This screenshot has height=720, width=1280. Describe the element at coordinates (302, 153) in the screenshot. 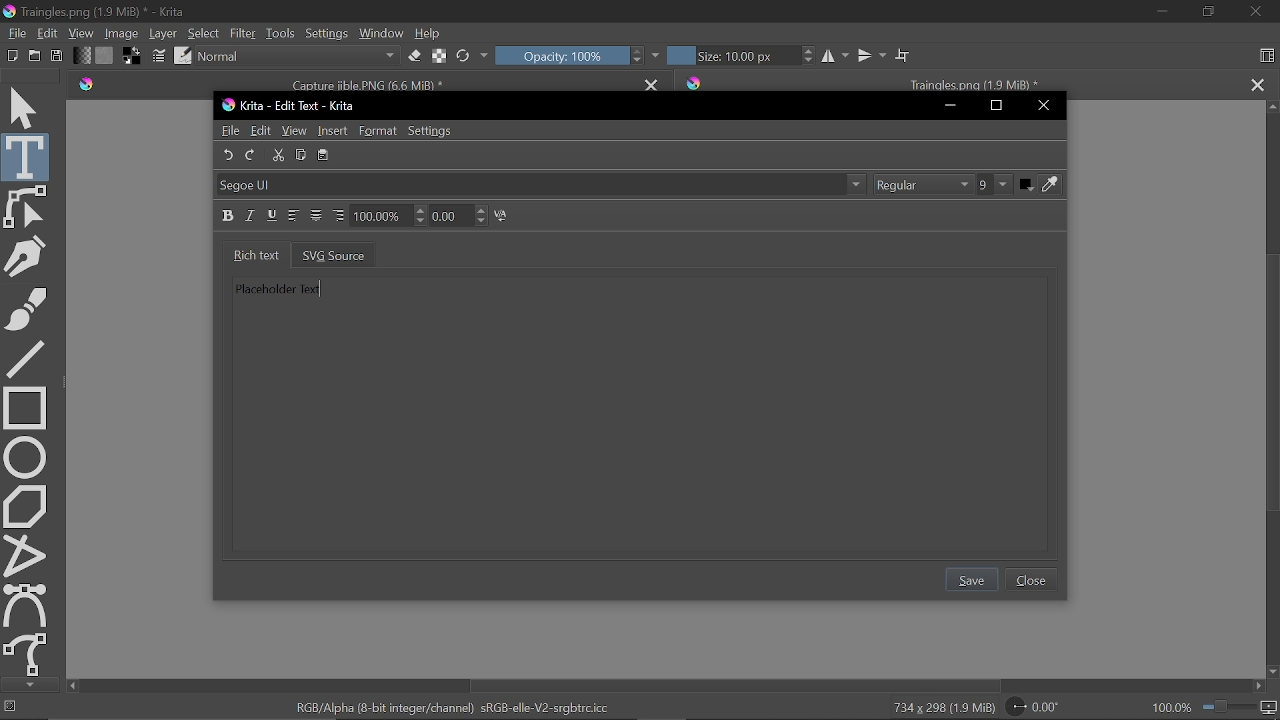

I see `Copy` at that location.